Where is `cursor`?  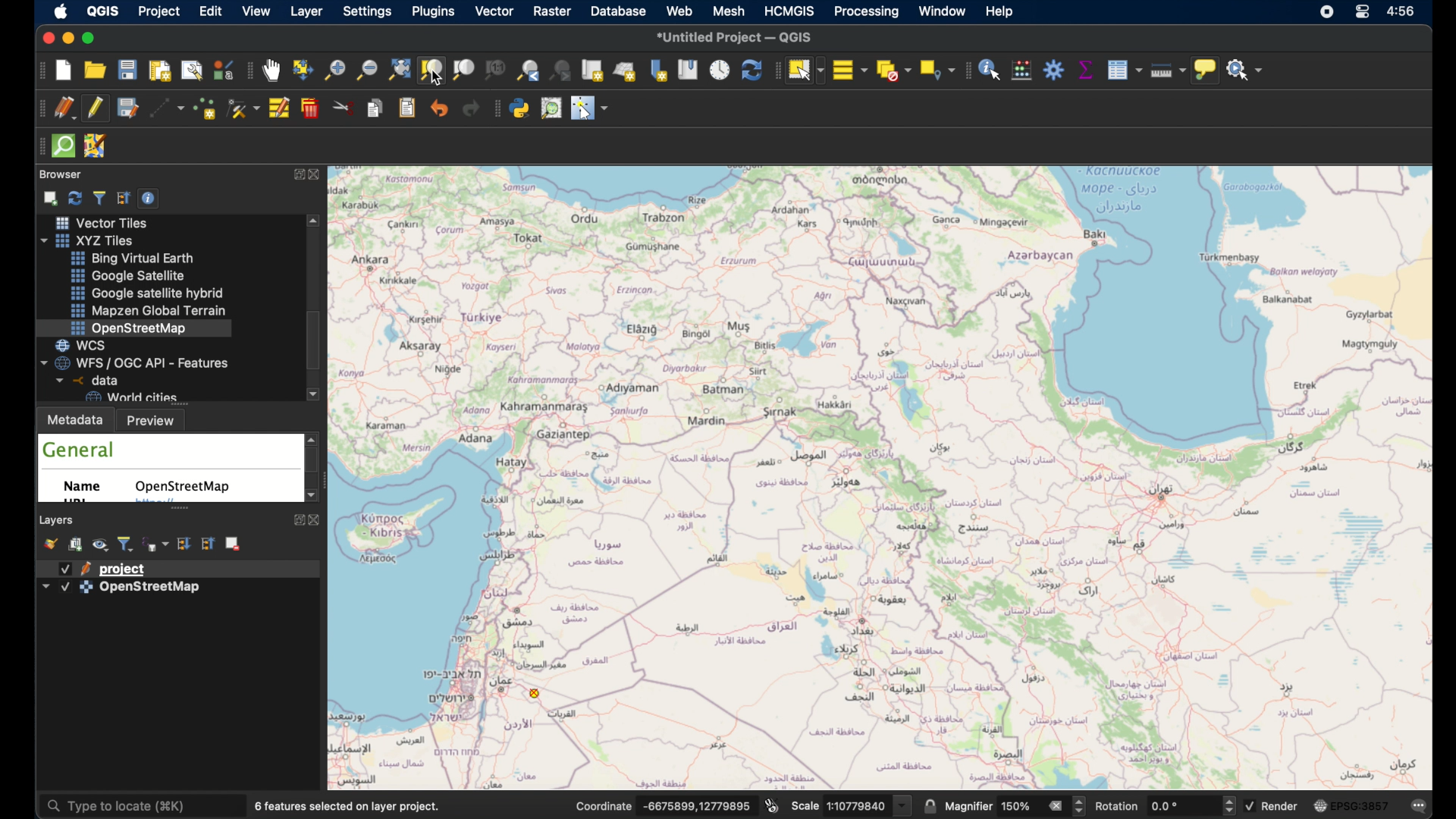 cursor is located at coordinates (438, 78).